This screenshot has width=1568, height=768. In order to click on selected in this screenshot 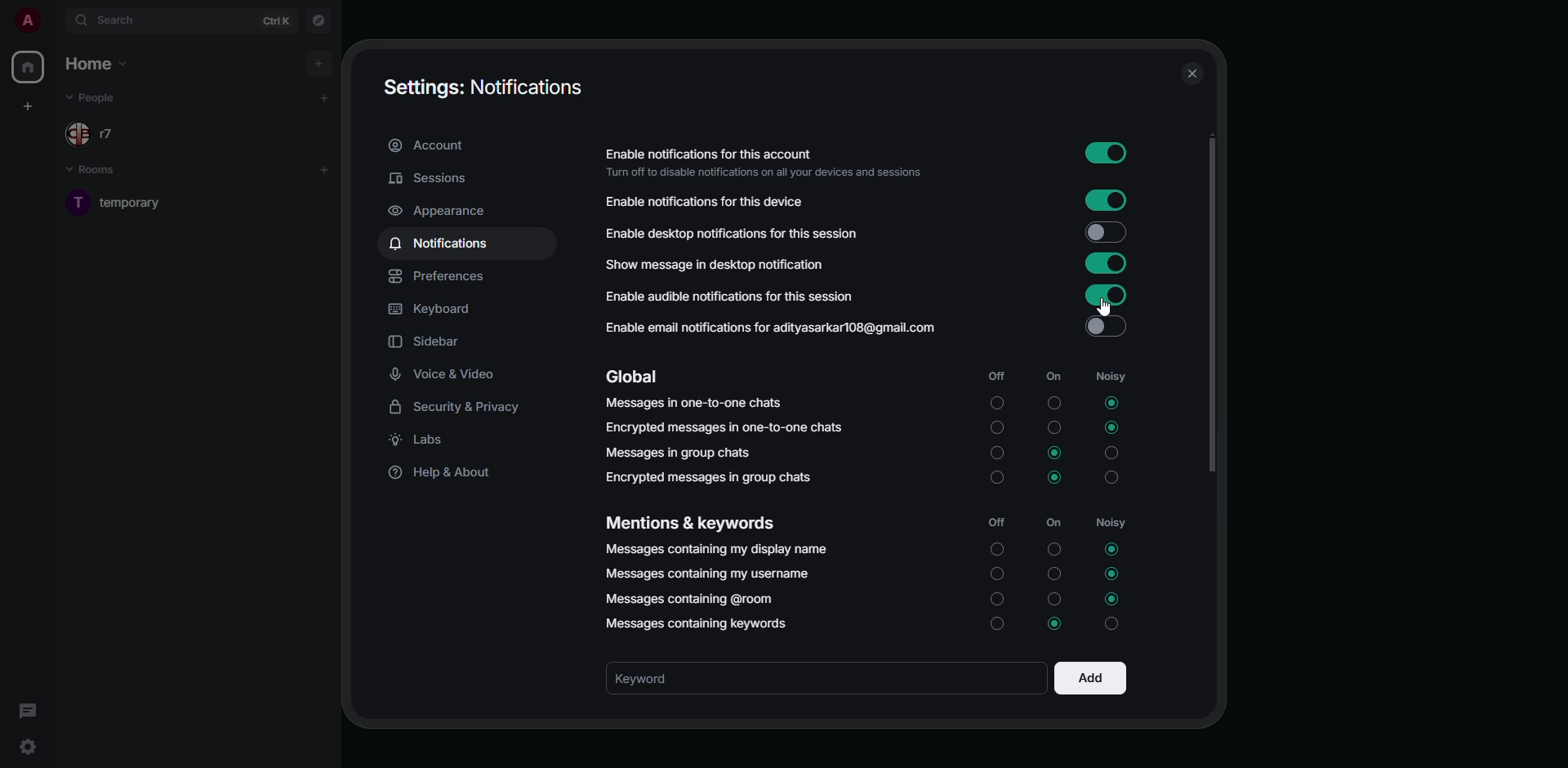, I will do `click(1111, 404)`.